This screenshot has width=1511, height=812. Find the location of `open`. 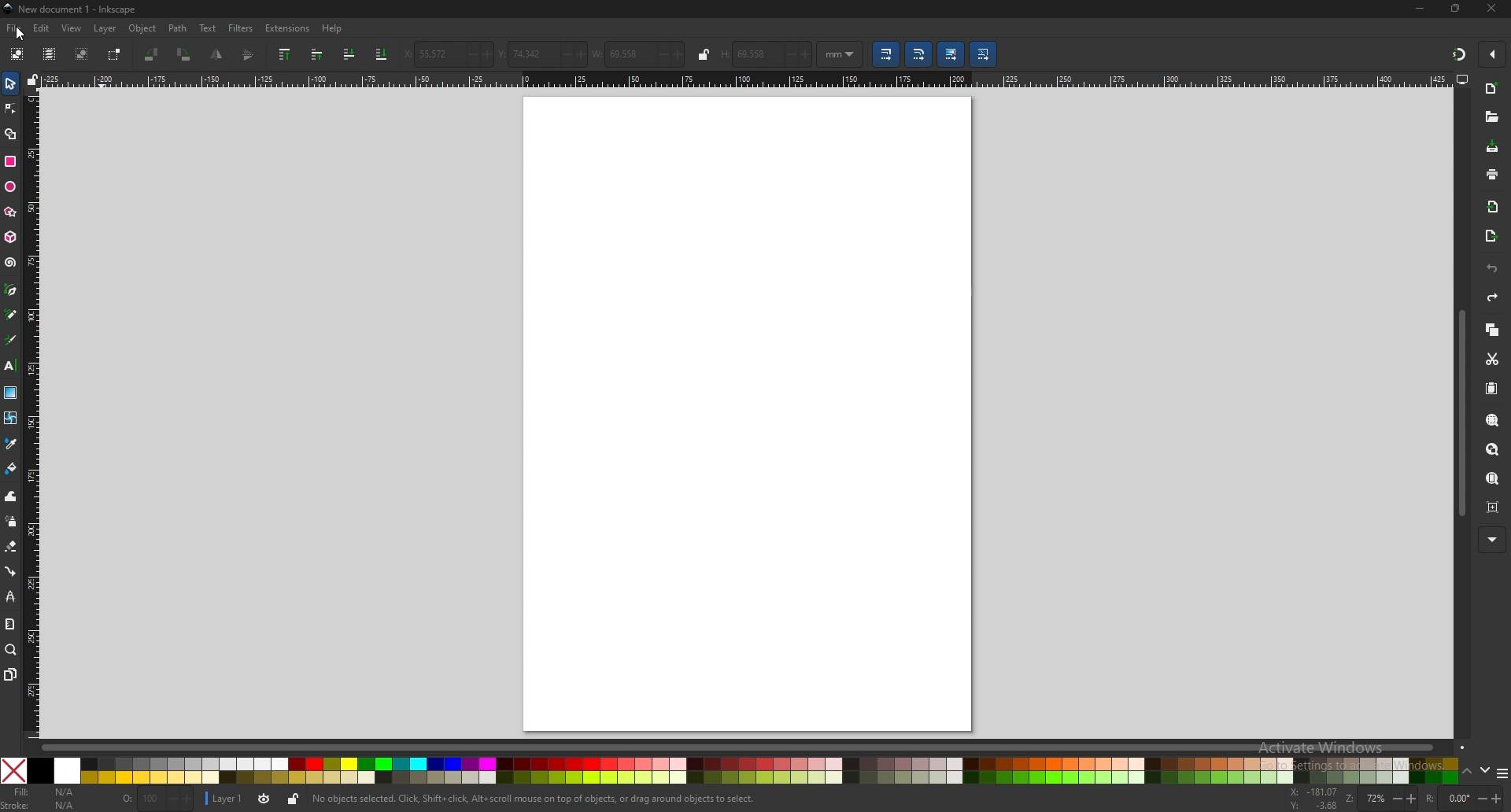

open is located at coordinates (1492, 116).